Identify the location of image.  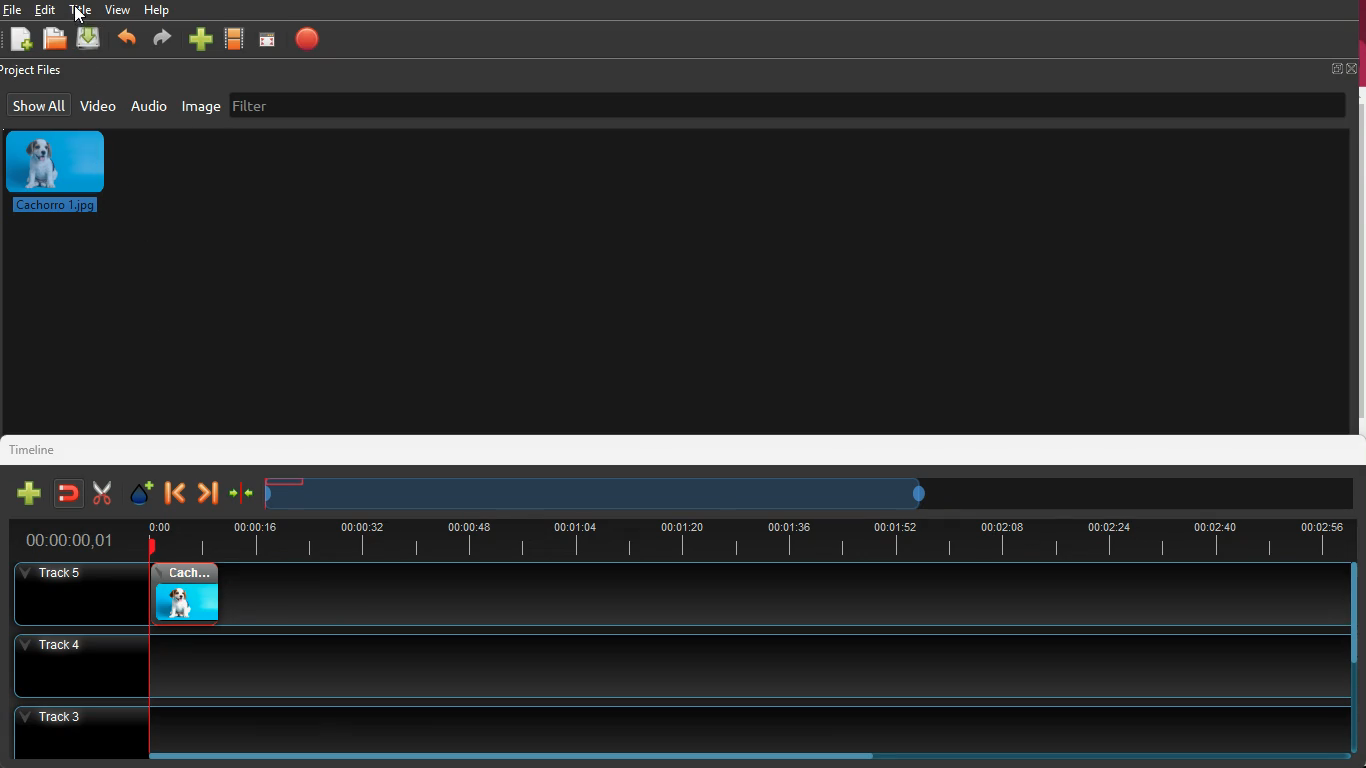
(182, 596).